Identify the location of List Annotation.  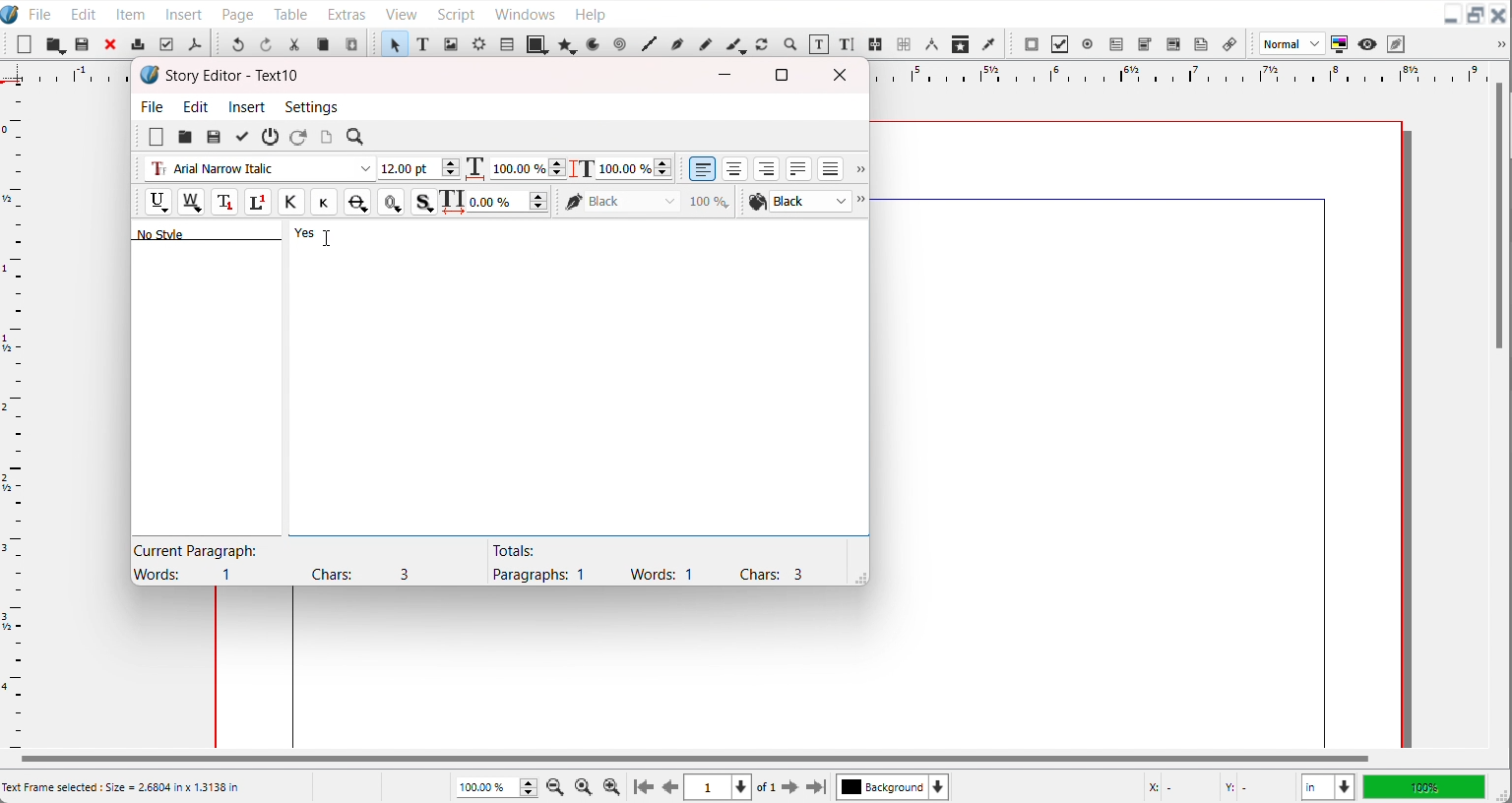
(1228, 43).